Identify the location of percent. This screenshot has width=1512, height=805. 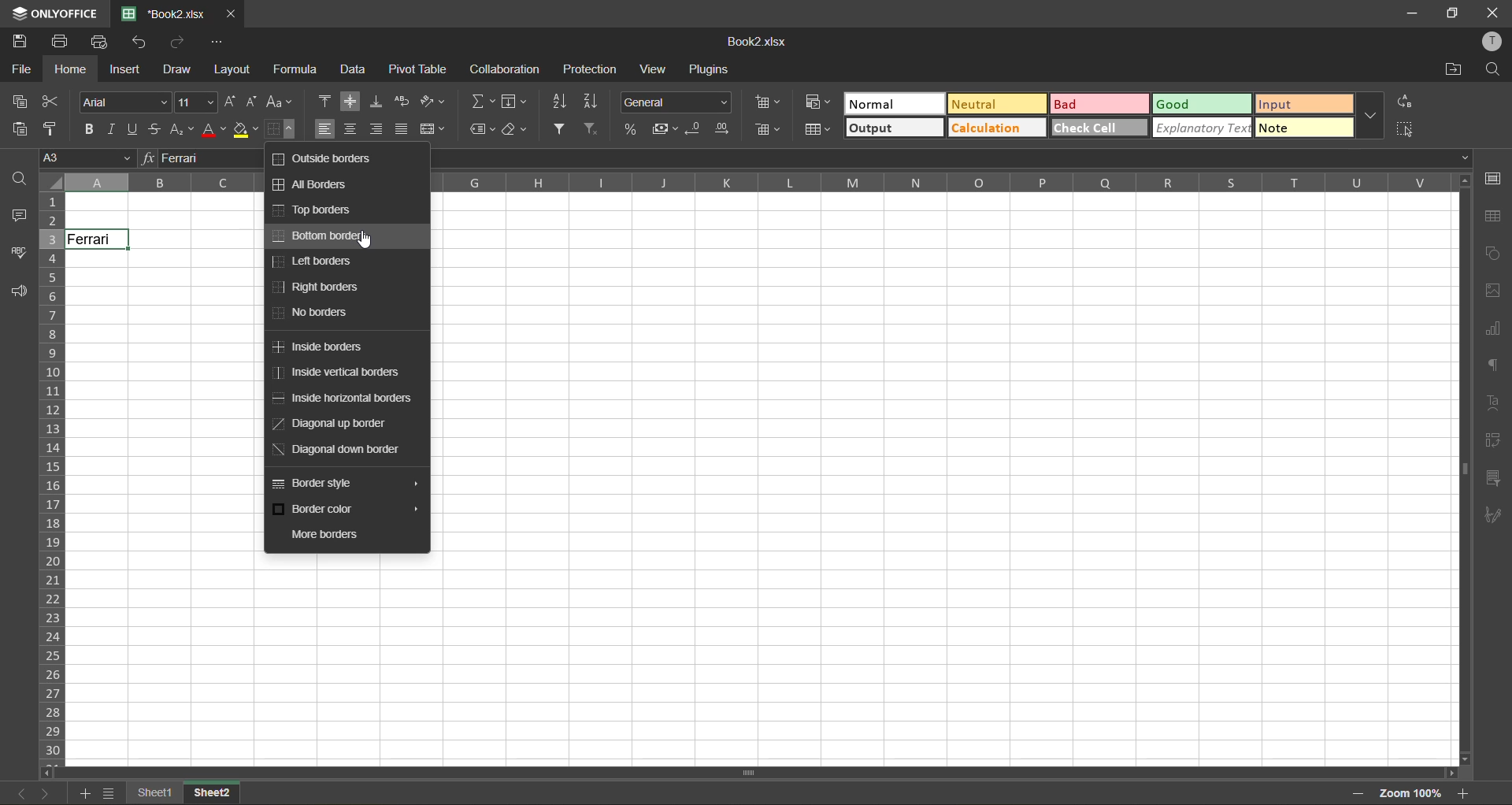
(629, 129).